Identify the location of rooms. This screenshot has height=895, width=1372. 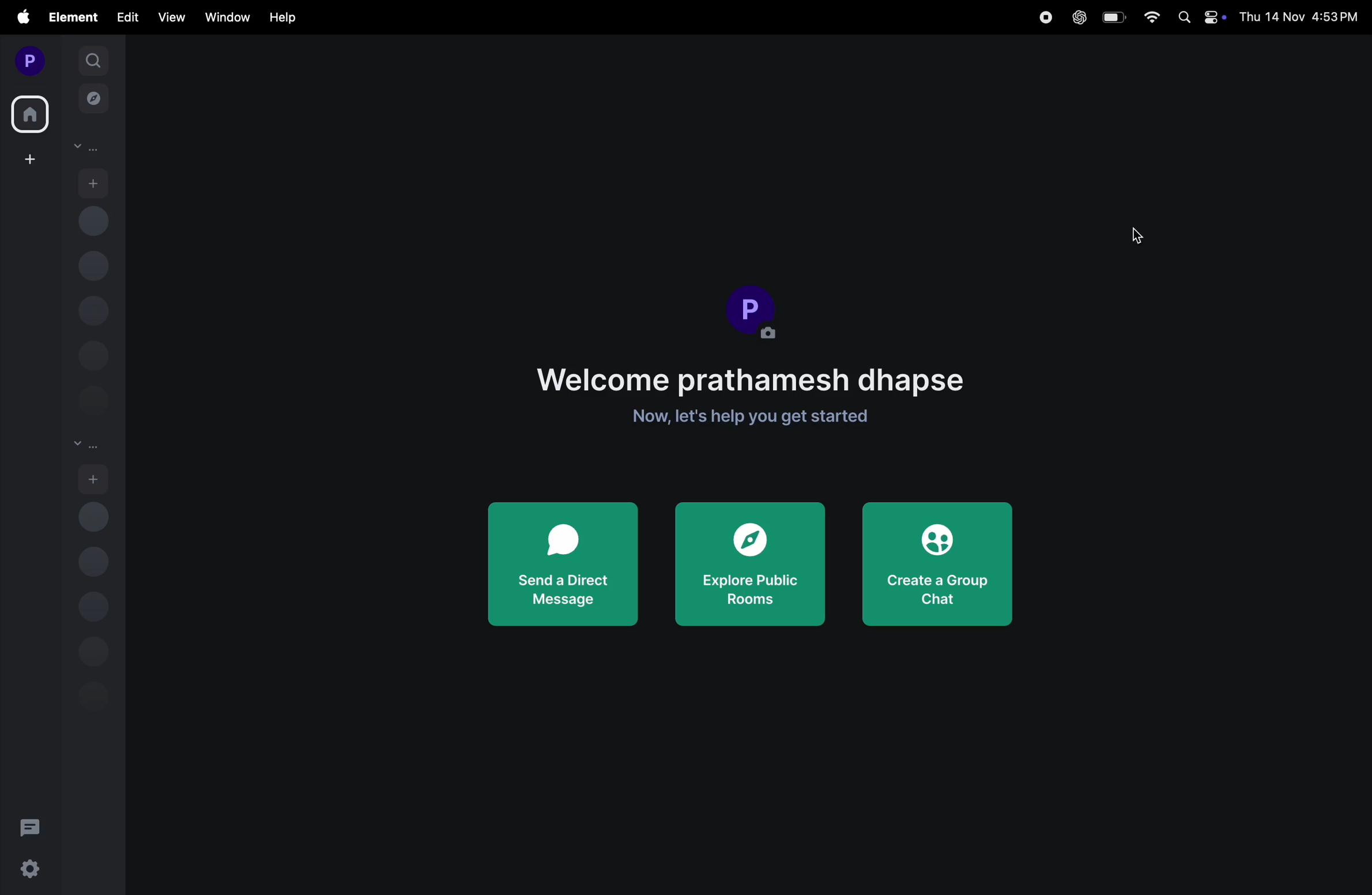
(86, 442).